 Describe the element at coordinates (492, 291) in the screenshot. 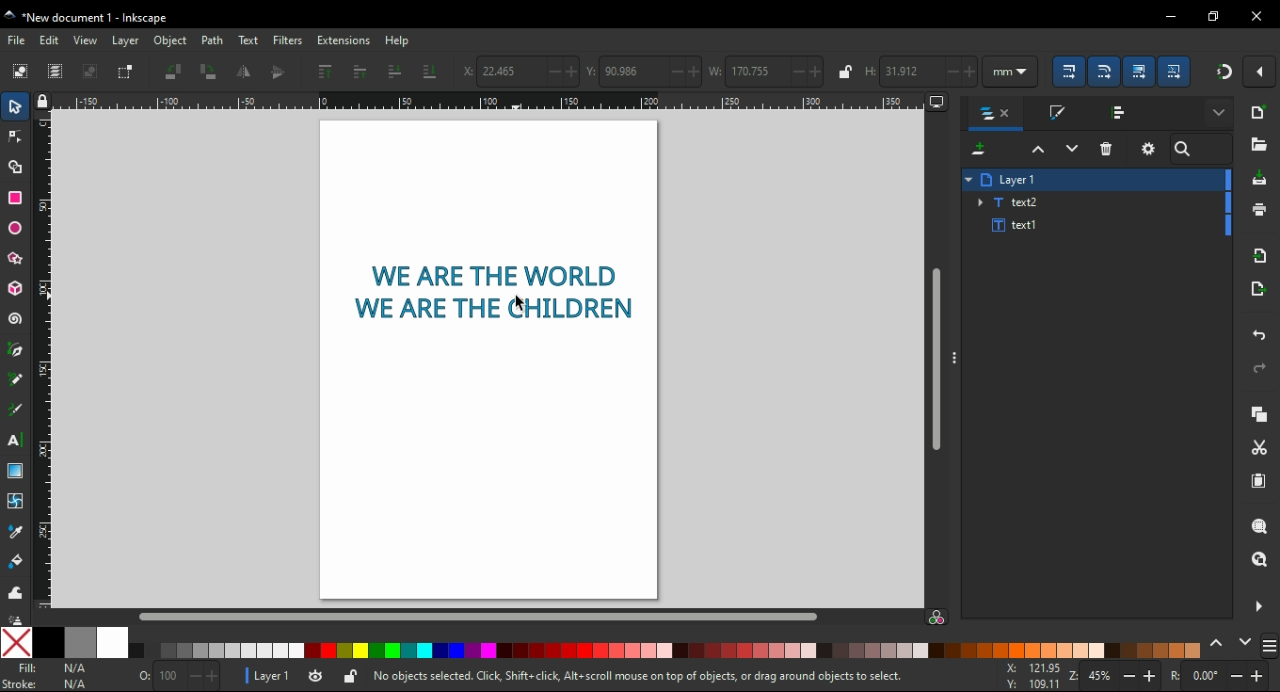

I see `text object` at that location.